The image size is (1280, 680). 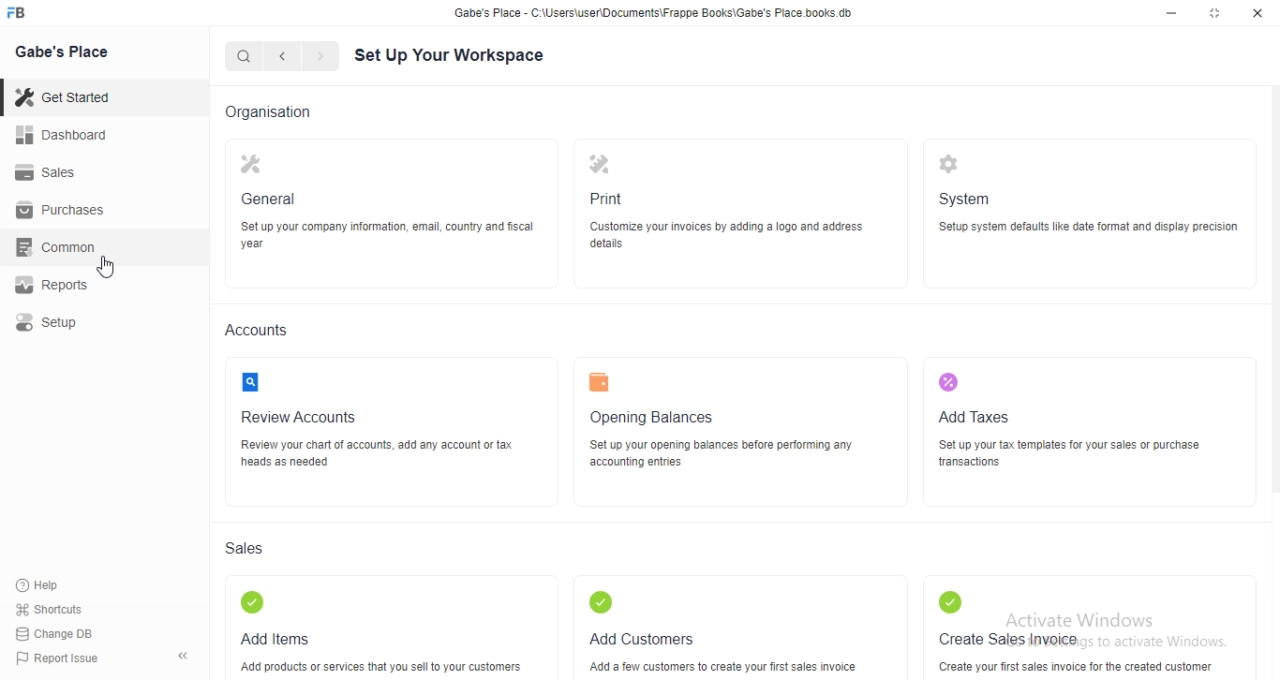 I want to click on tick mark  , so click(x=253, y=603).